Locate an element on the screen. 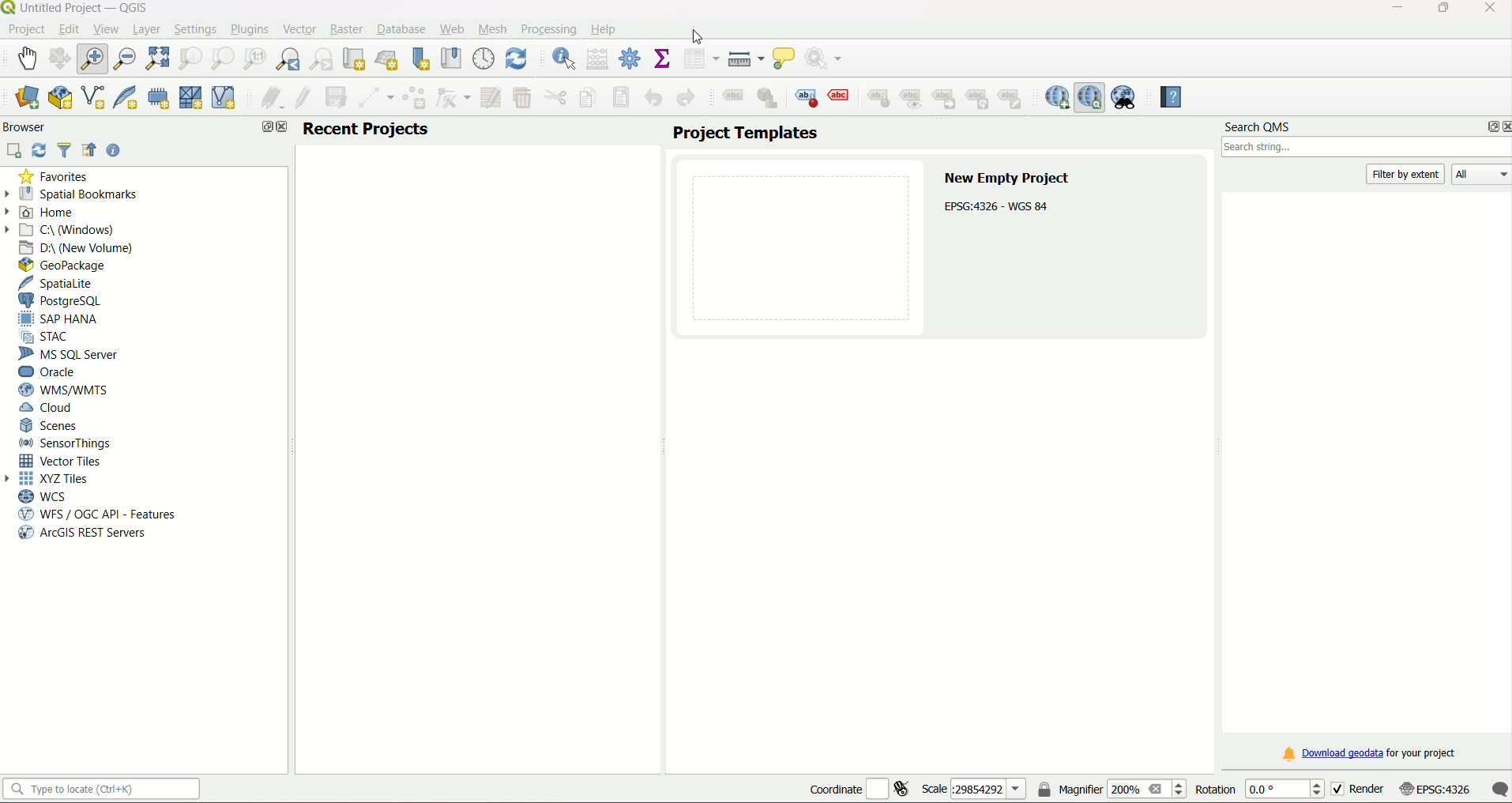 This screenshot has width=1512, height=803. Geo Package is located at coordinates (70, 265).